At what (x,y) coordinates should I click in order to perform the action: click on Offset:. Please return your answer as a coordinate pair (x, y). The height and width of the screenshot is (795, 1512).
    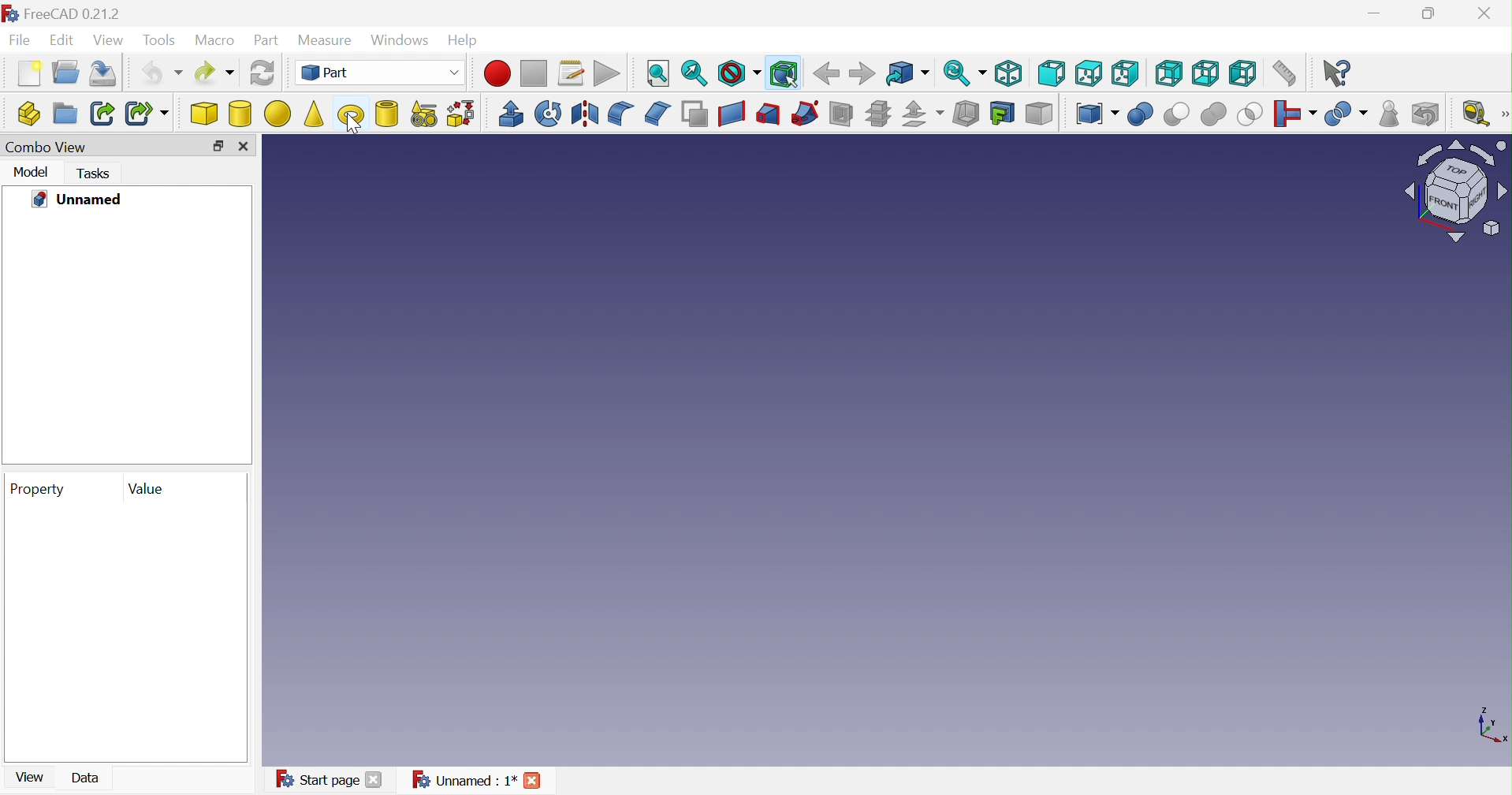
    Looking at the image, I should click on (923, 114).